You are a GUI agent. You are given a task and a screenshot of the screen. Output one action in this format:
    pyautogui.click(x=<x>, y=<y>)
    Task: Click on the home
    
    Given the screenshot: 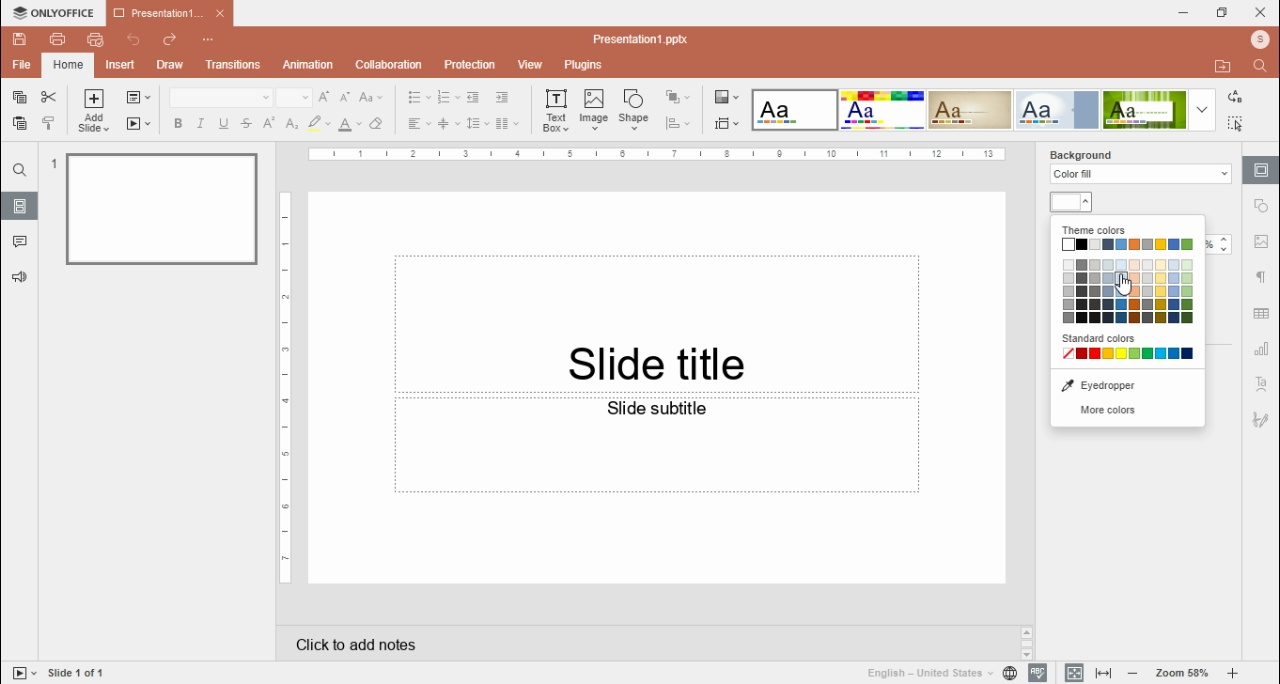 What is the action you would take?
    pyautogui.click(x=66, y=66)
    